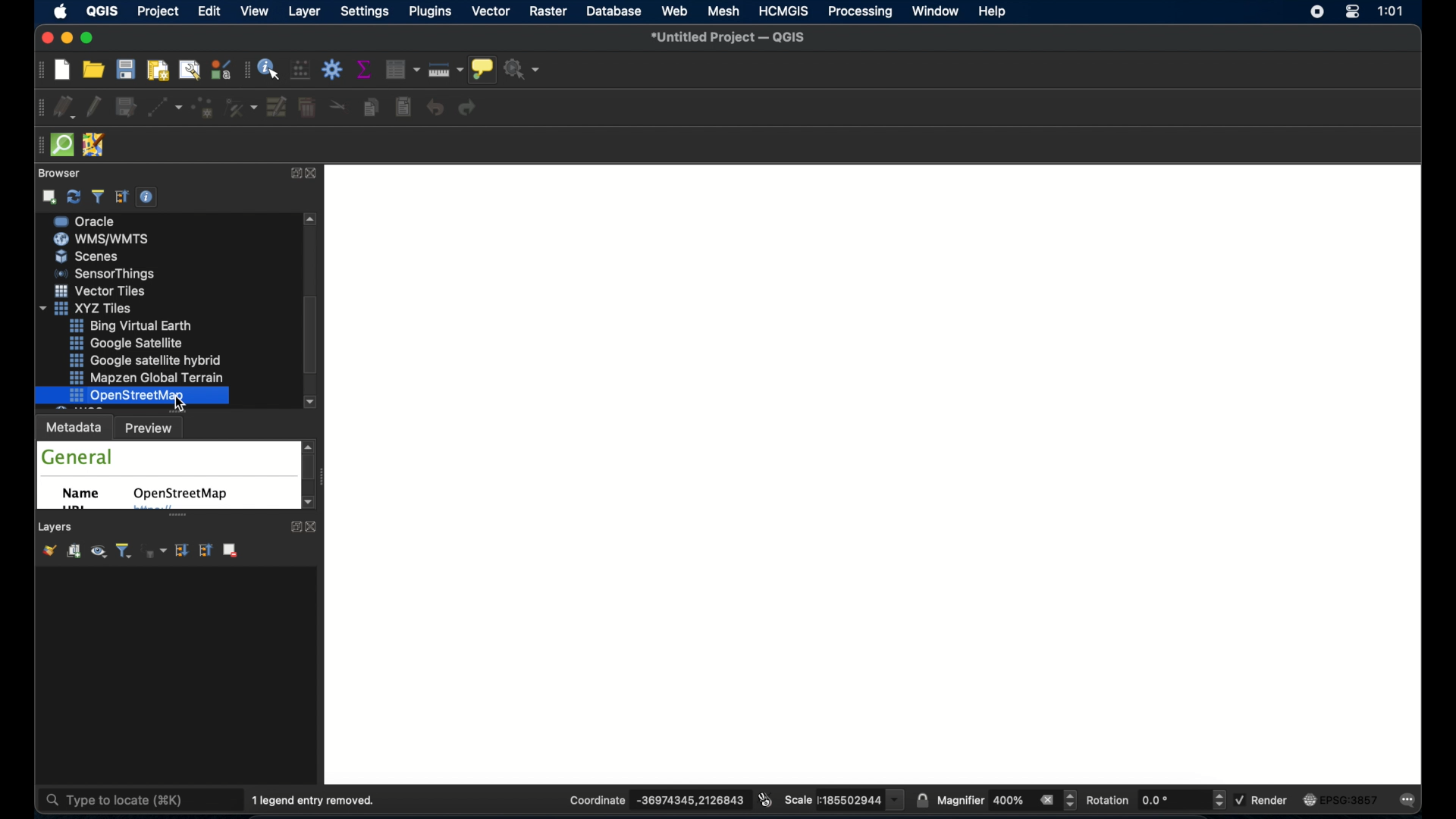 The image size is (1456, 819). I want to click on save layer edits, so click(127, 108).